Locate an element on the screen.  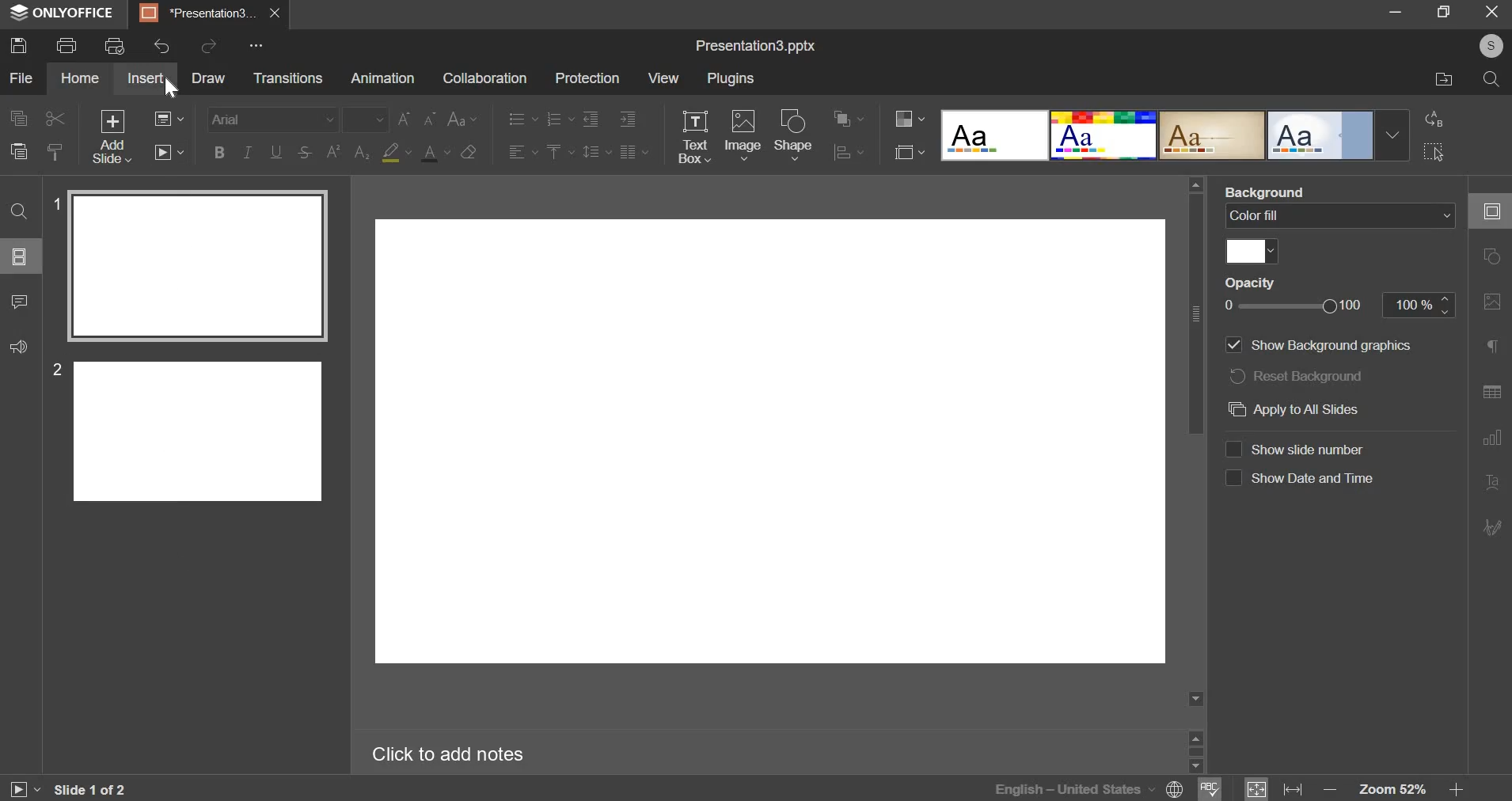
vertical alignment is located at coordinates (561, 152).